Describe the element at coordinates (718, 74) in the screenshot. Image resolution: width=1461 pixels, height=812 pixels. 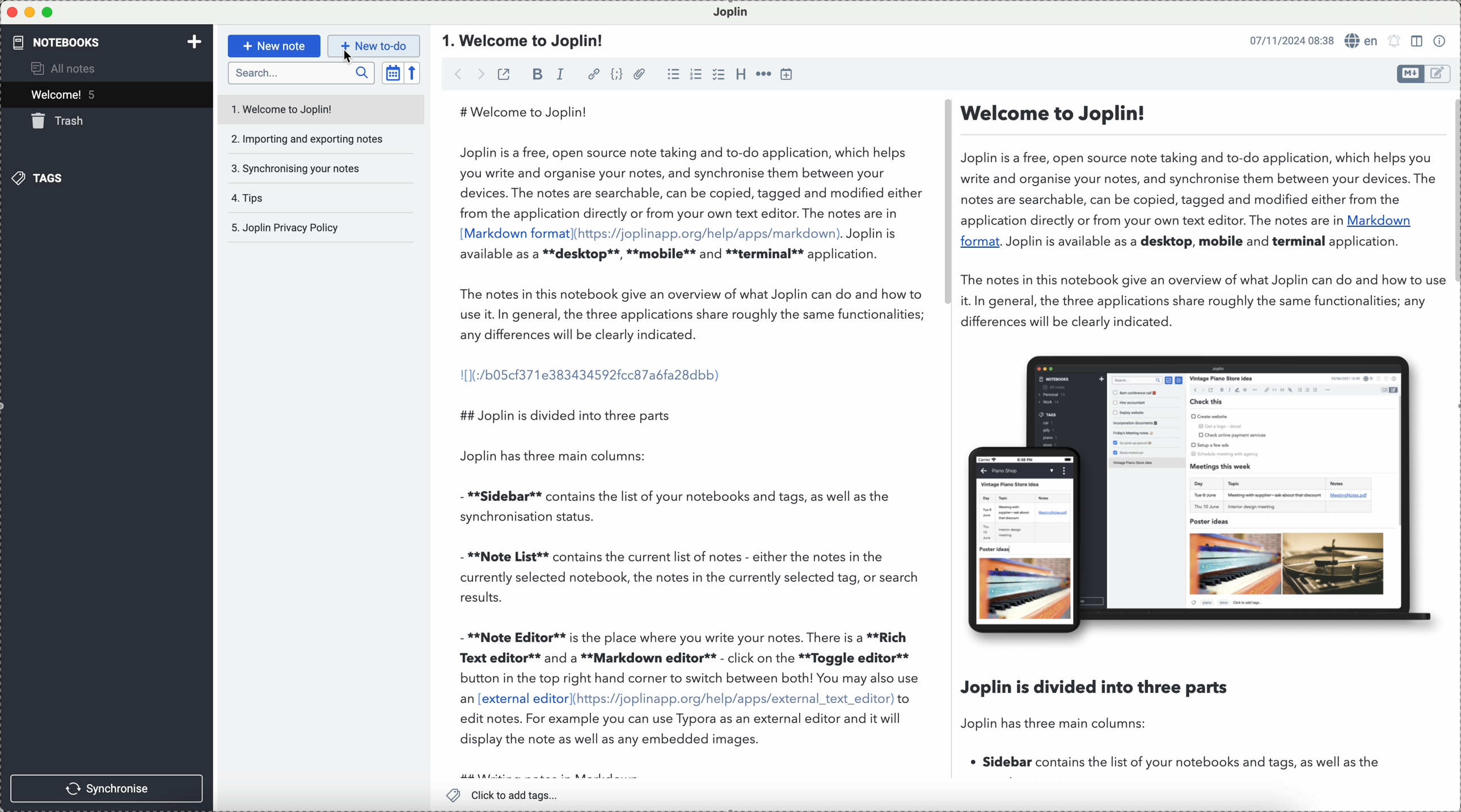
I see `checkbox` at that location.